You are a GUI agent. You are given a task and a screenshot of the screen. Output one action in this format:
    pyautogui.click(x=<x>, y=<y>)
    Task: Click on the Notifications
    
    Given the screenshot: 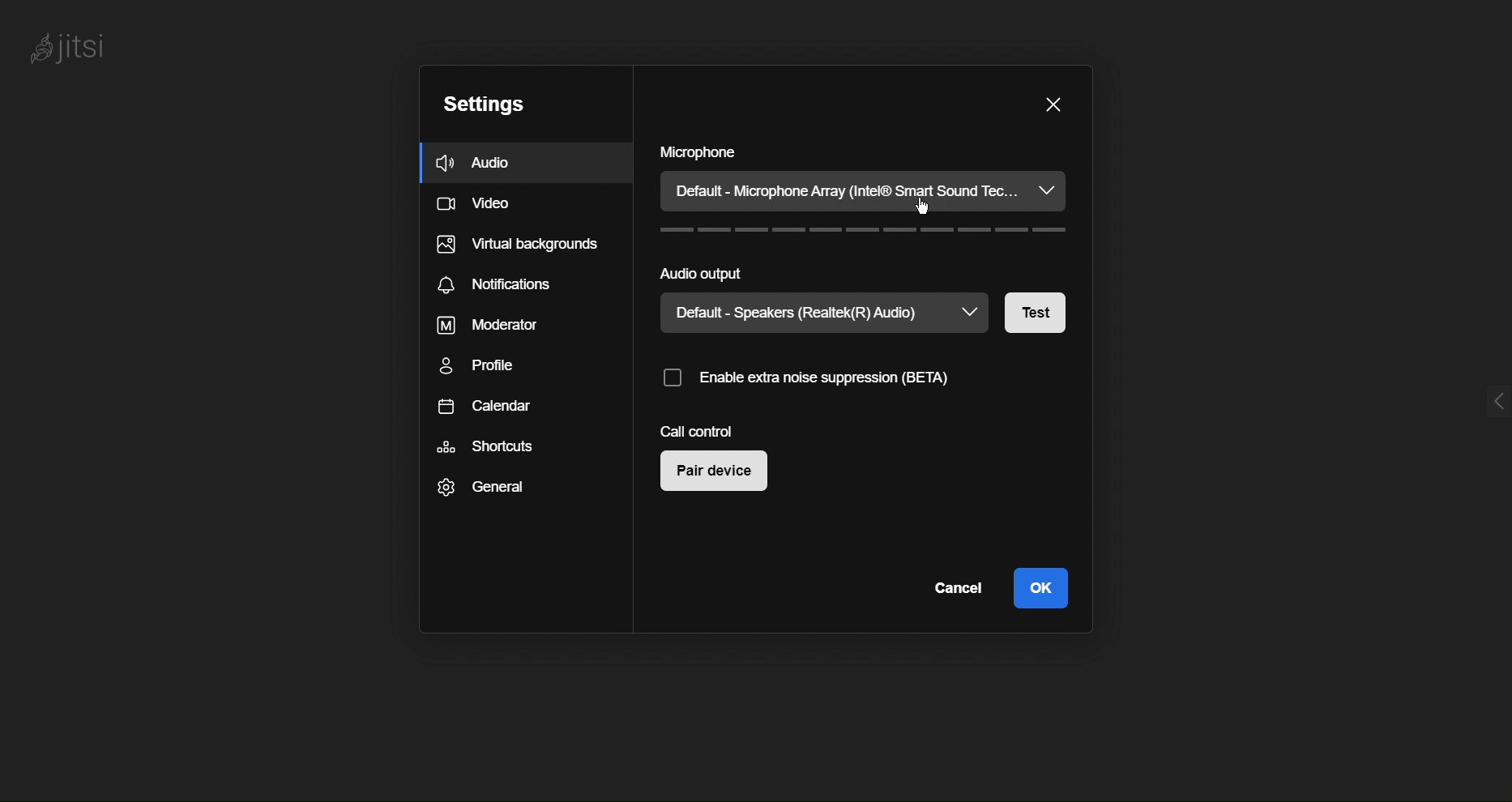 What is the action you would take?
    pyautogui.click(x=505, y=284)
    